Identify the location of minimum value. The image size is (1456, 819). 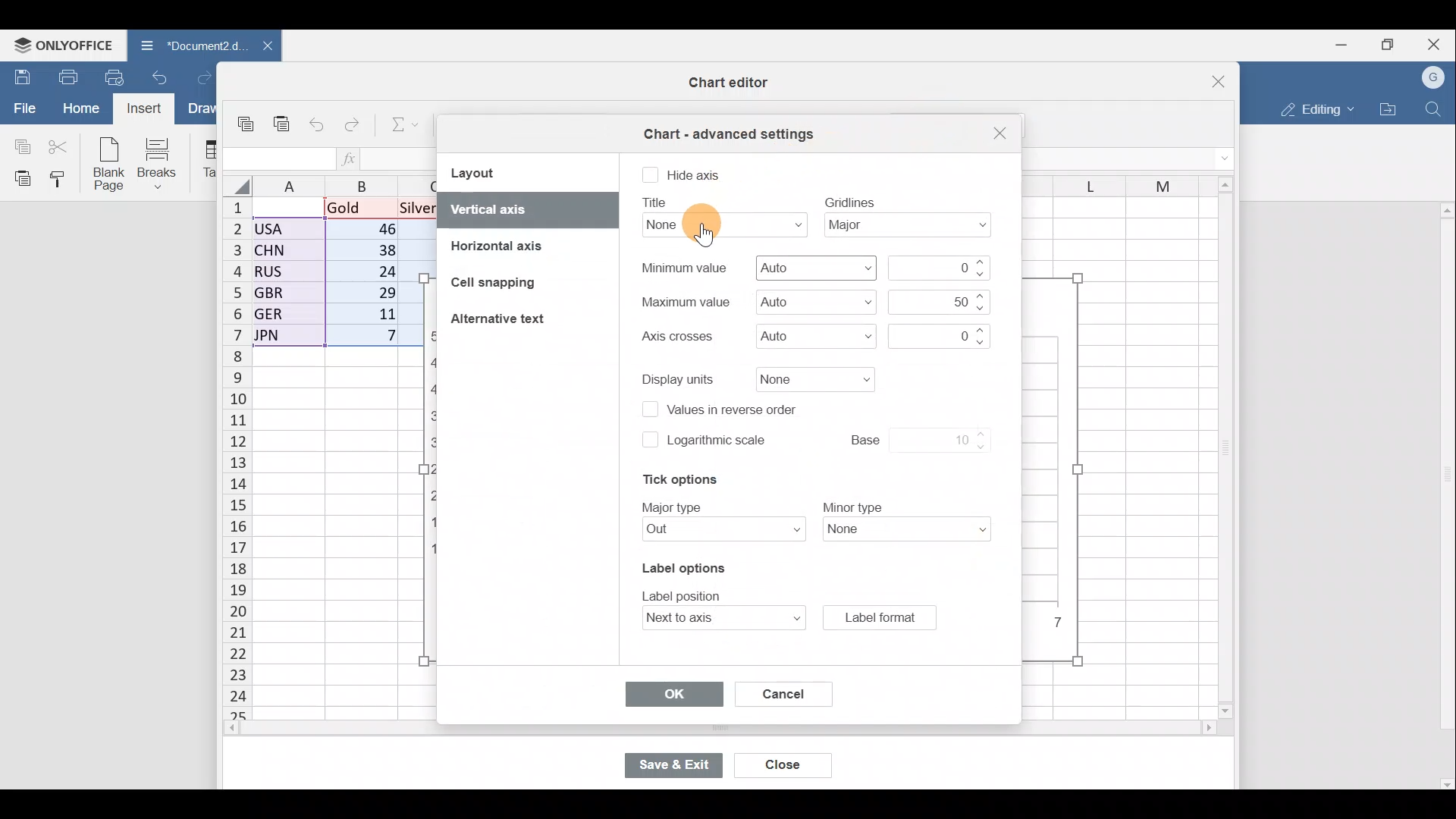
(938, 266).